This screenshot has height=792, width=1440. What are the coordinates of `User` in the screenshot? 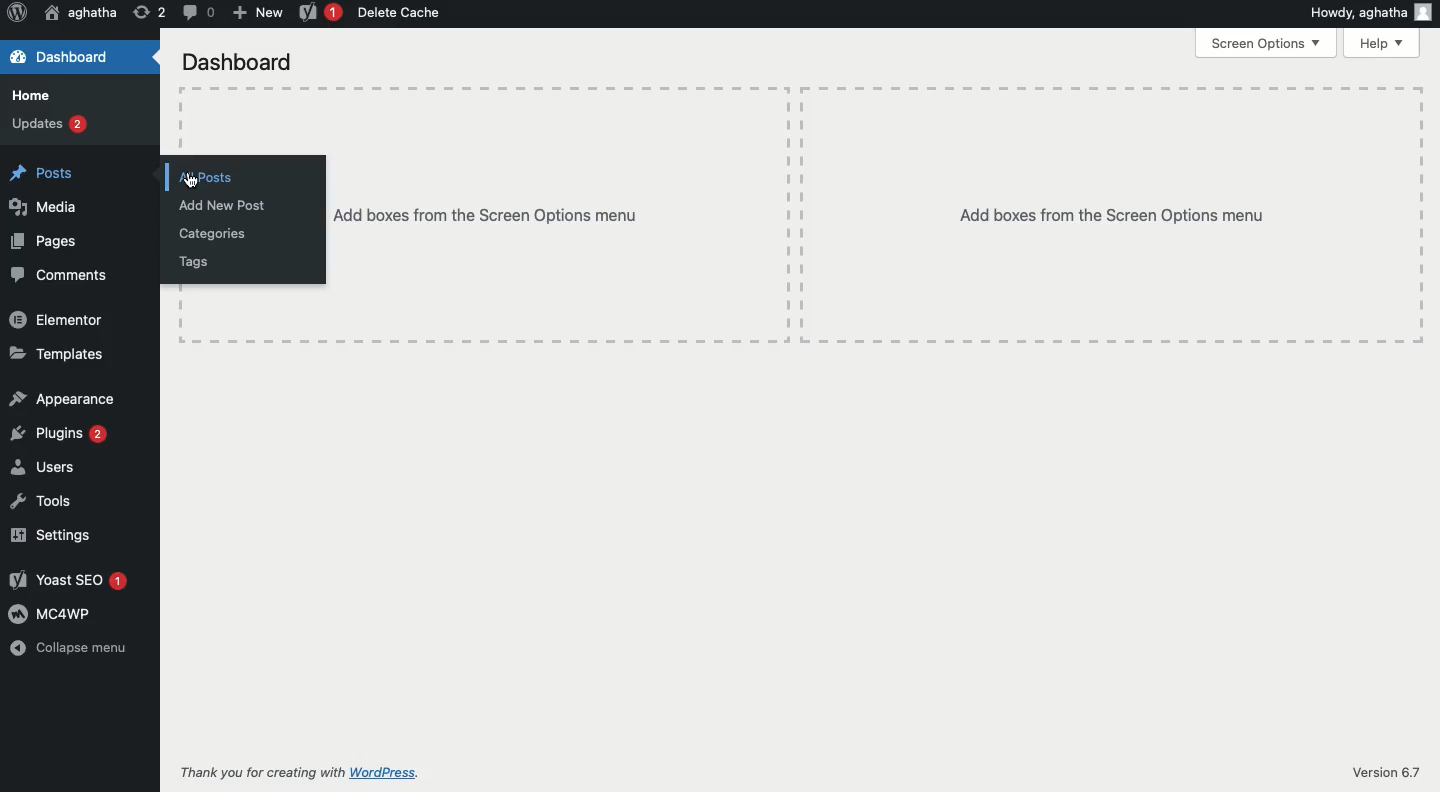 It's located at (79, 14).